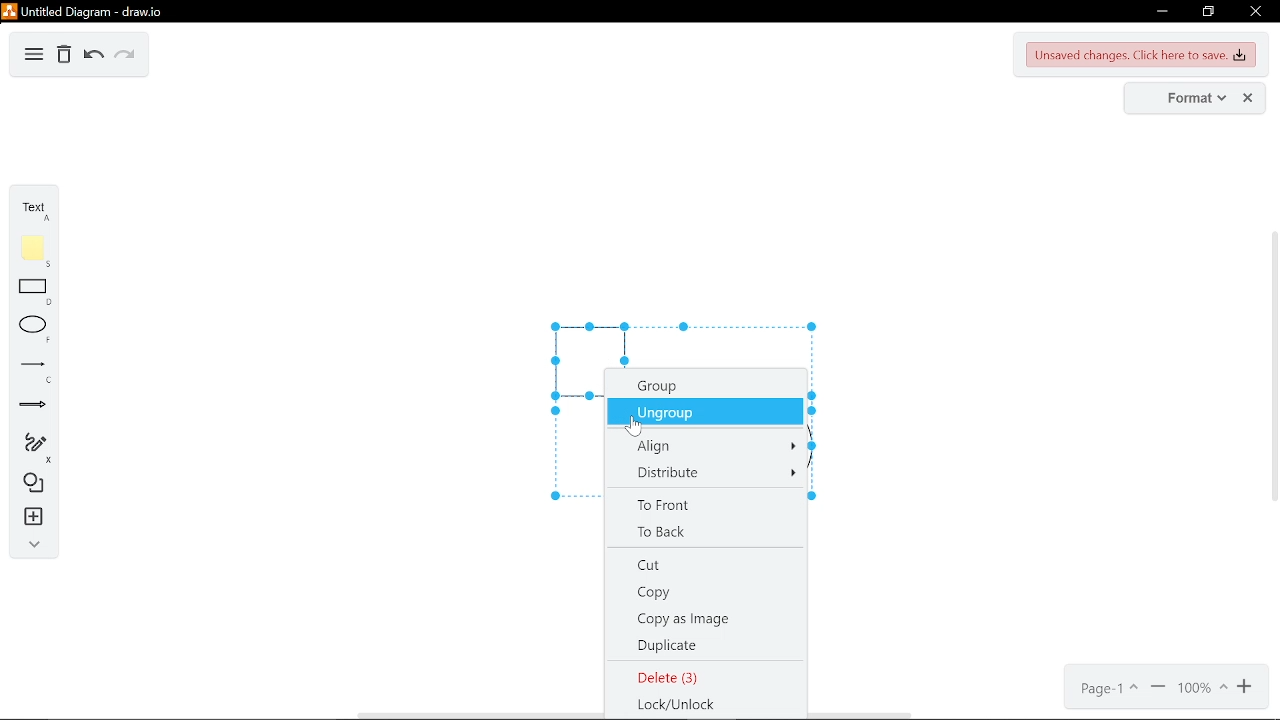  I want to click on current zoom, so click(1203, 689).